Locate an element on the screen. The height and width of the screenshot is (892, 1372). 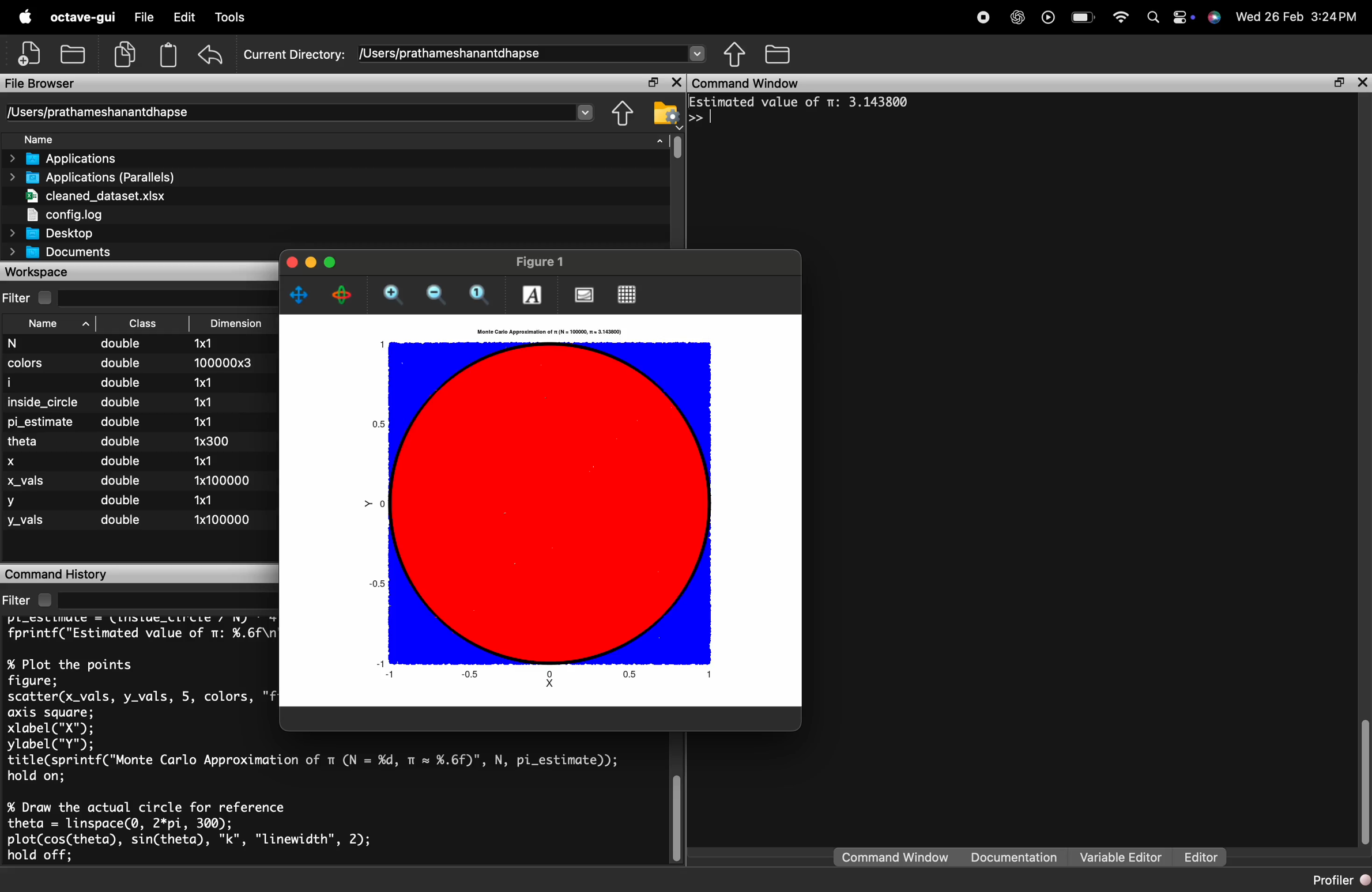
File is located at coordinates (144, 19).